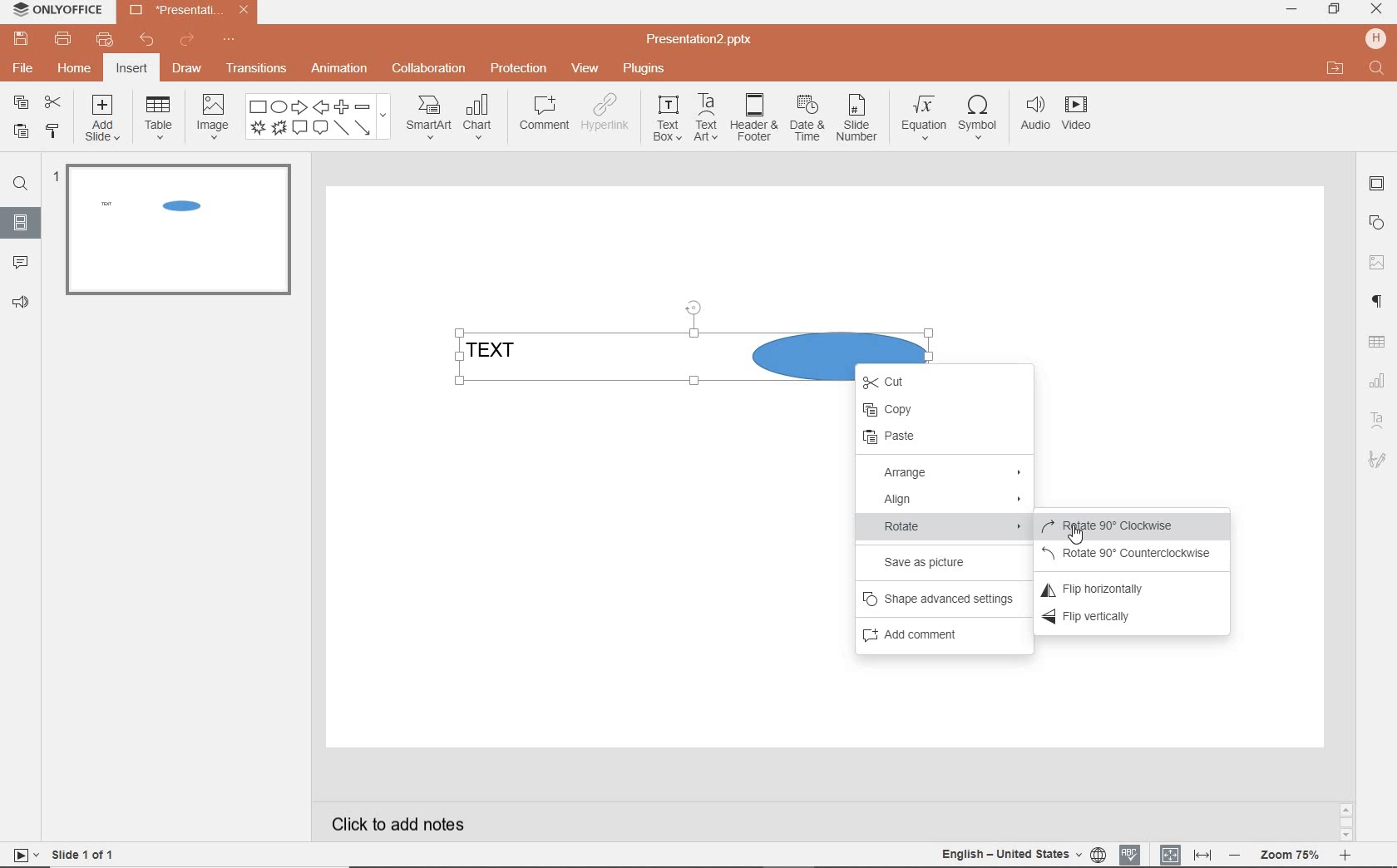 This screenshot has width=1397, height=868. Describe the element at coordinates (949, 474) in the screenshot. I see `arrange` at that location.